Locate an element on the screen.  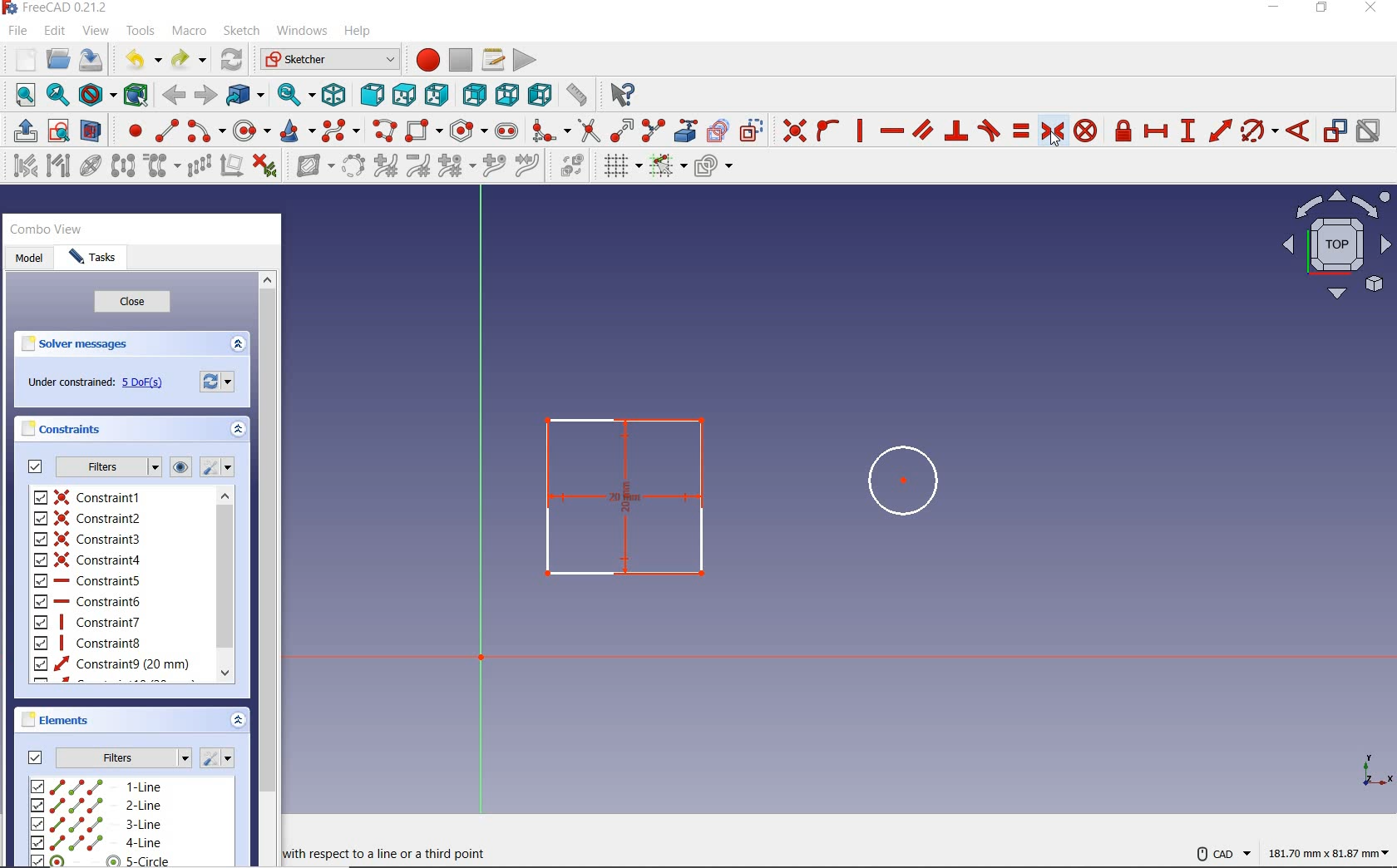
delete all constraints is located at coordinates (266, 167).